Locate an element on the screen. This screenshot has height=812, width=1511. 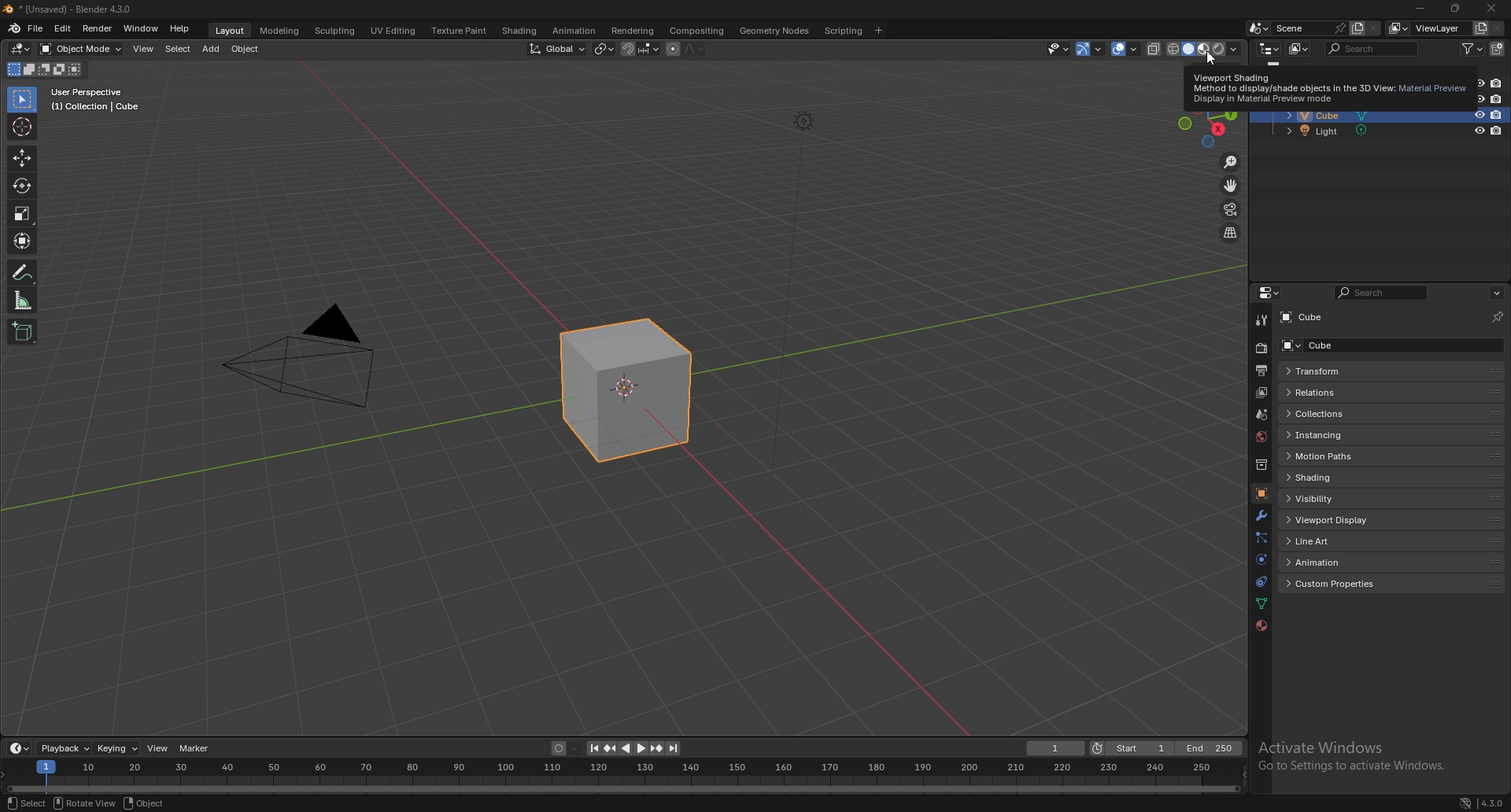
object is located at coordinates (246, 50).